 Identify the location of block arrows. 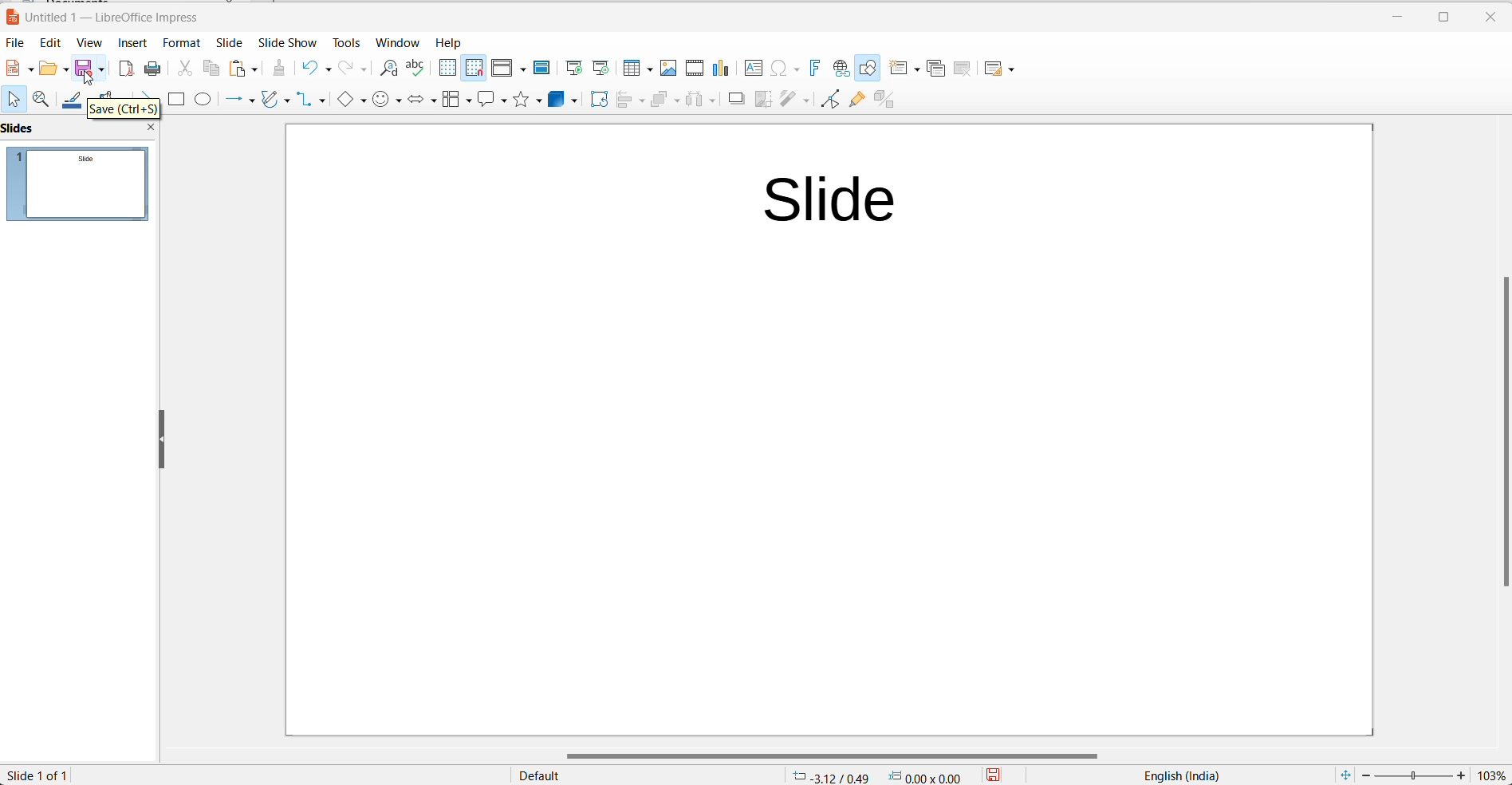
(421, 101).